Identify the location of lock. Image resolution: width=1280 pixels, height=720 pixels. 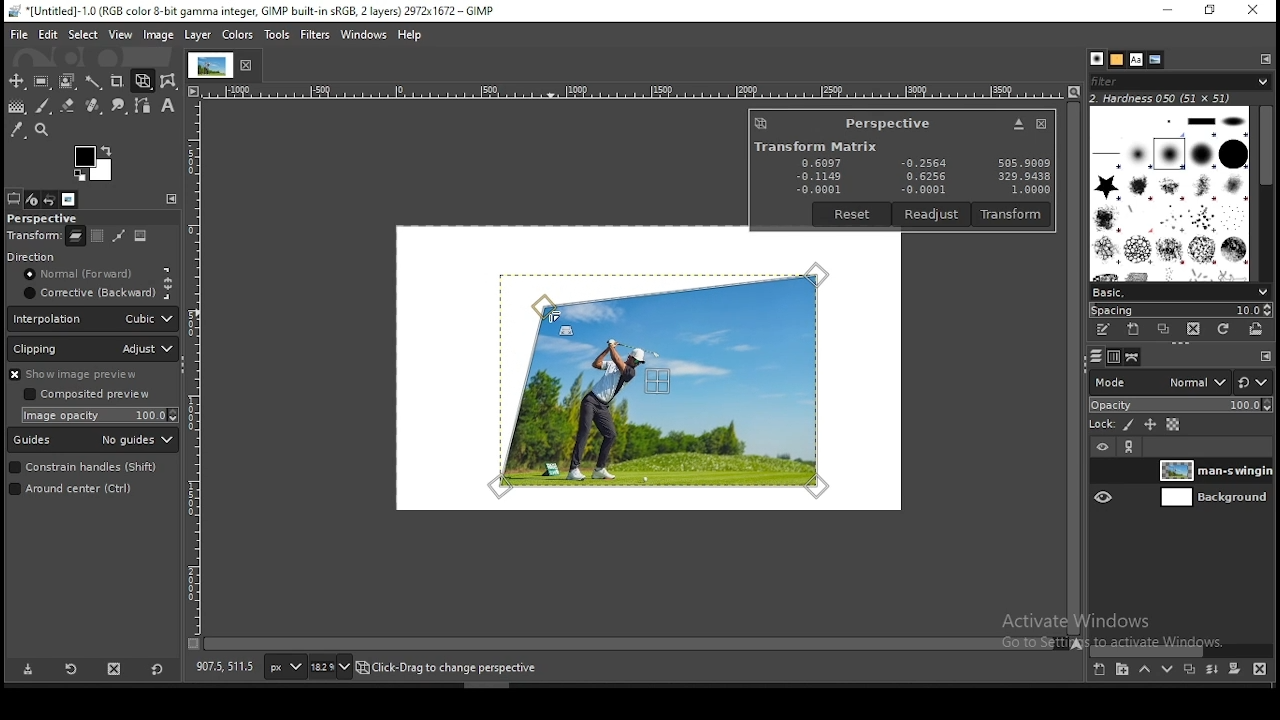
(1103, 425).